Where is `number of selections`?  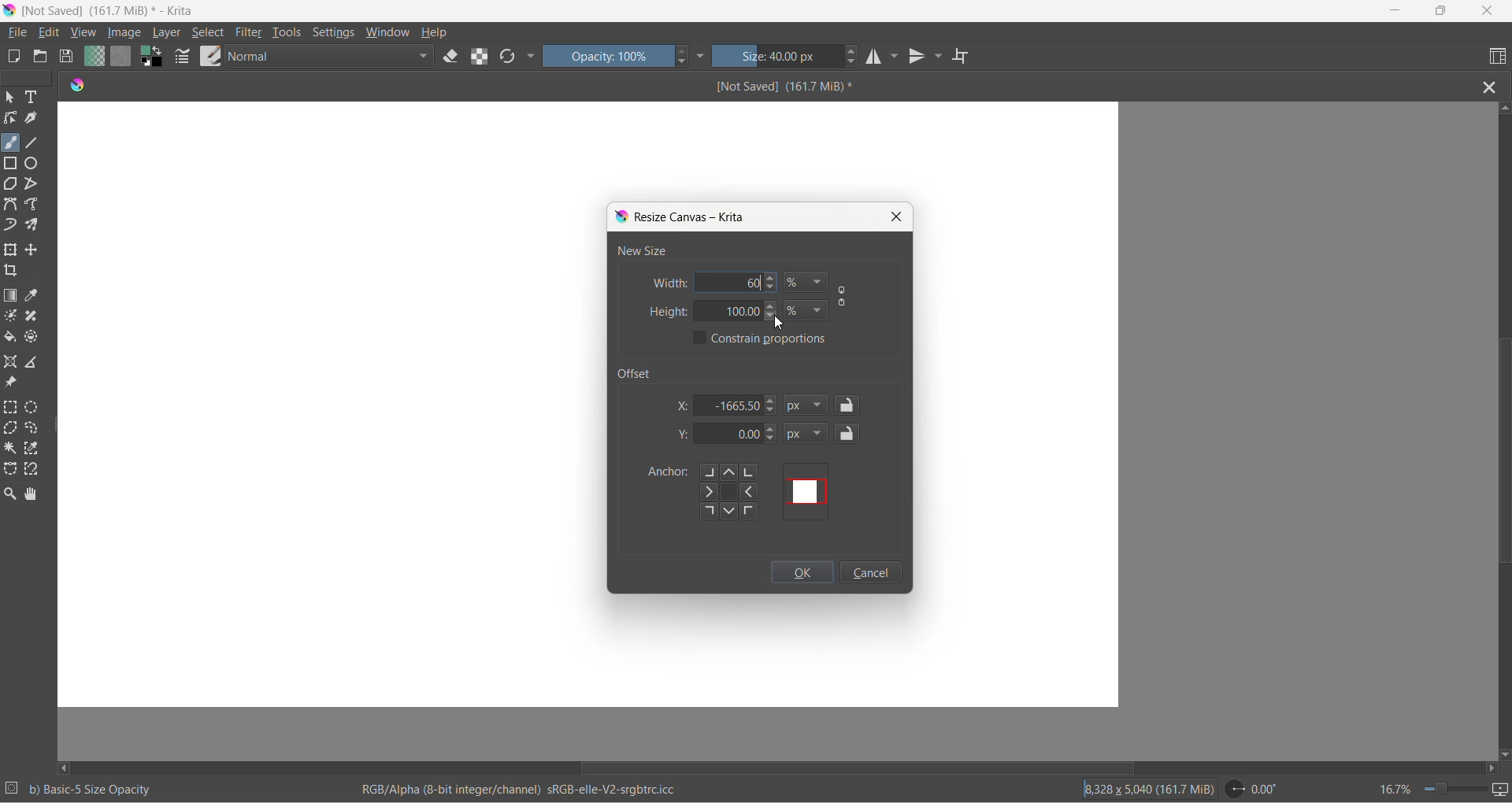
number of selections is located at coordinates (12, 790).